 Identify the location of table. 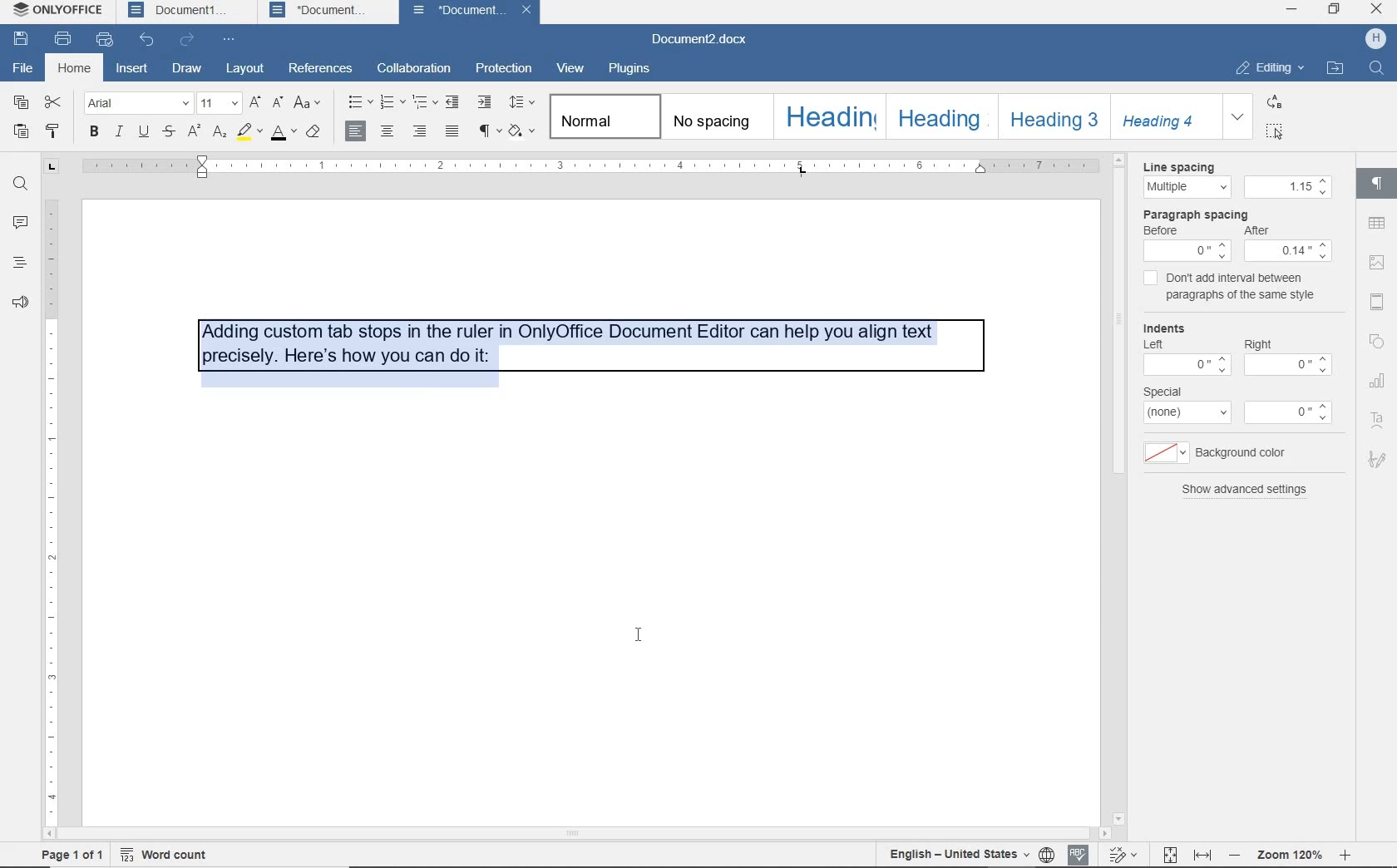
(1377, 223).